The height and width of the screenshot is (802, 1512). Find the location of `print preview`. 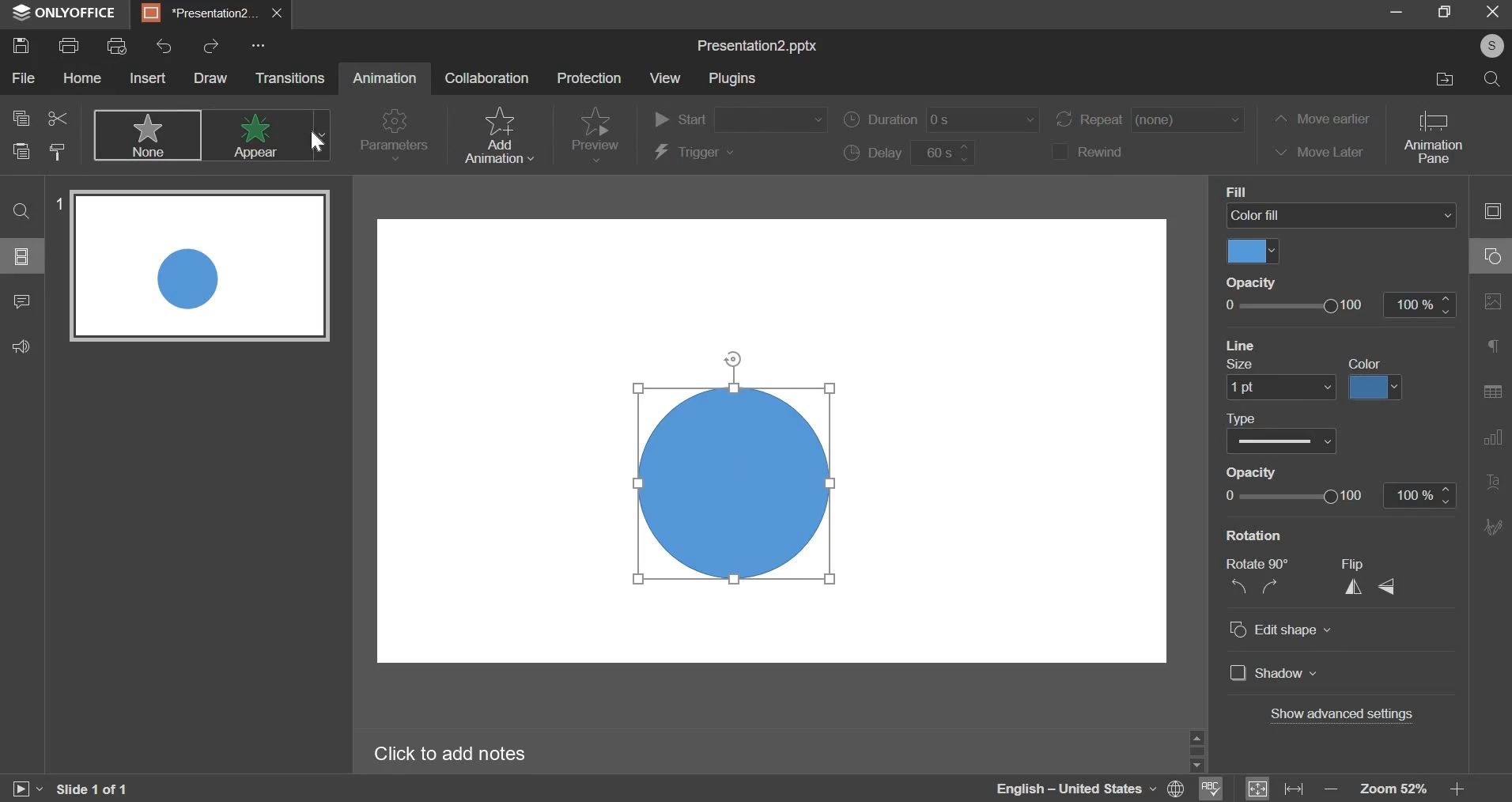

print preview is located at coordinates (119, 46).